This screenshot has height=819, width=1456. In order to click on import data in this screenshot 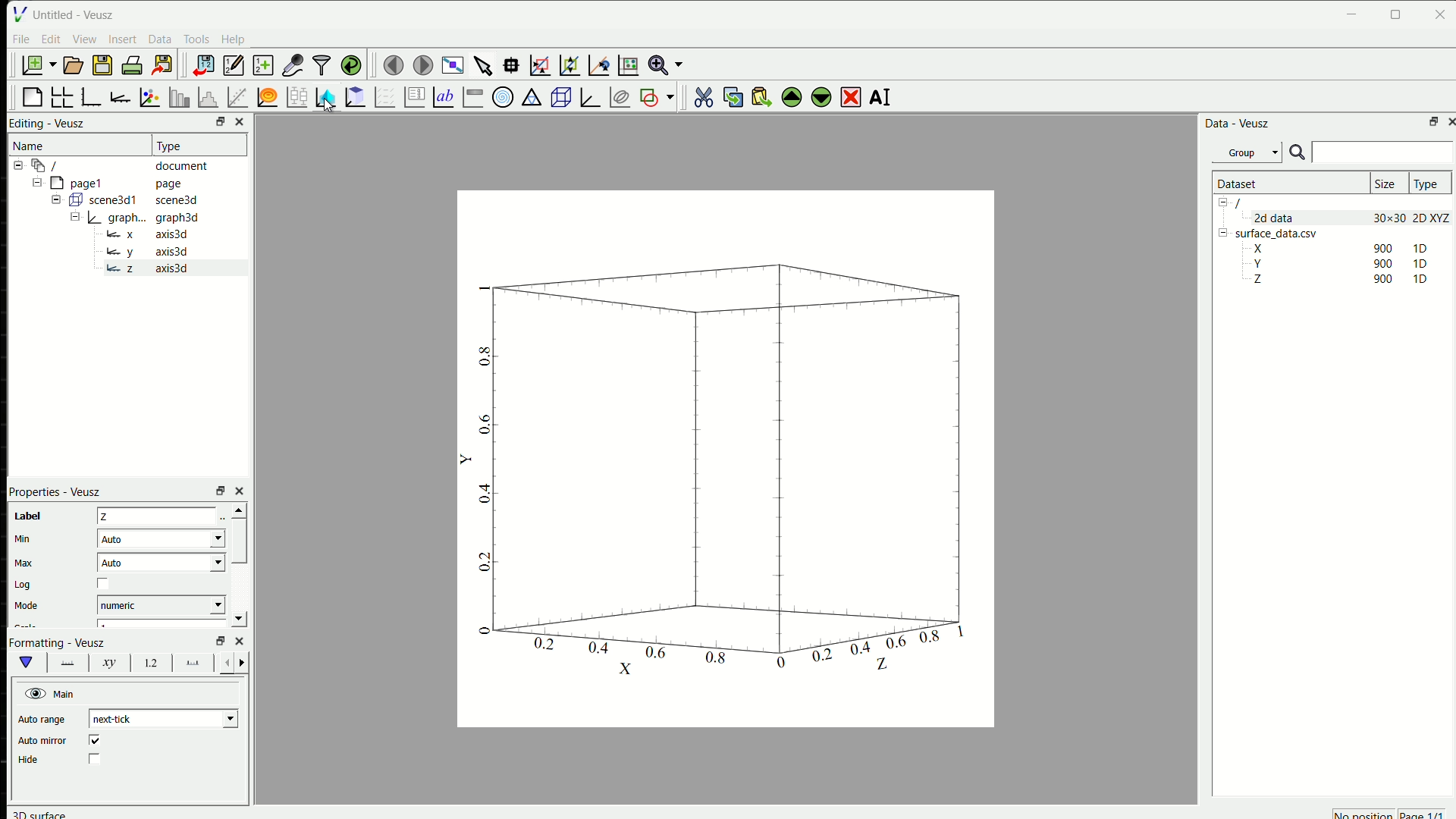, I will do `click(204, 65)`.